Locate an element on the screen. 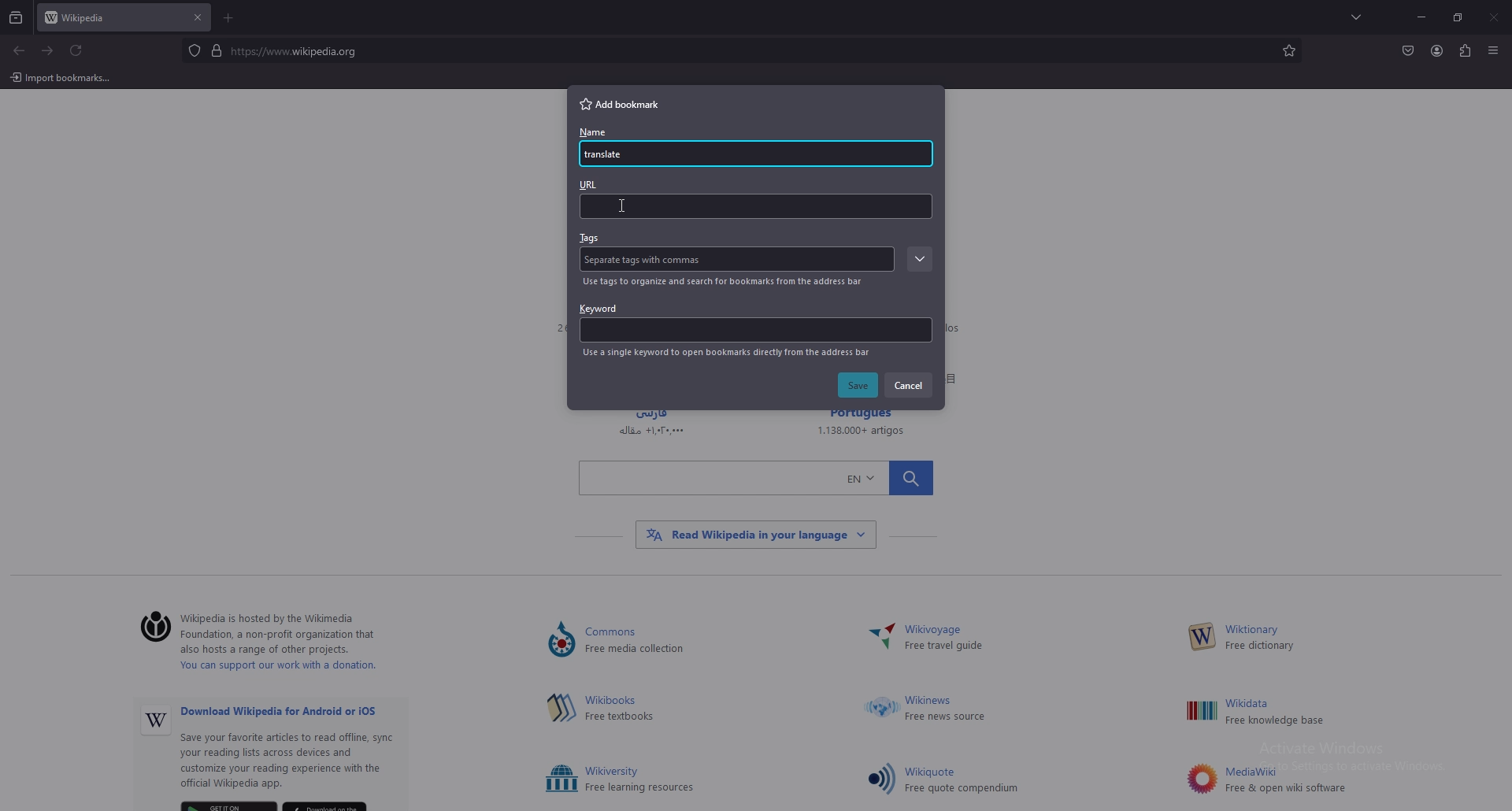  © is located at coordinates (150, 628).